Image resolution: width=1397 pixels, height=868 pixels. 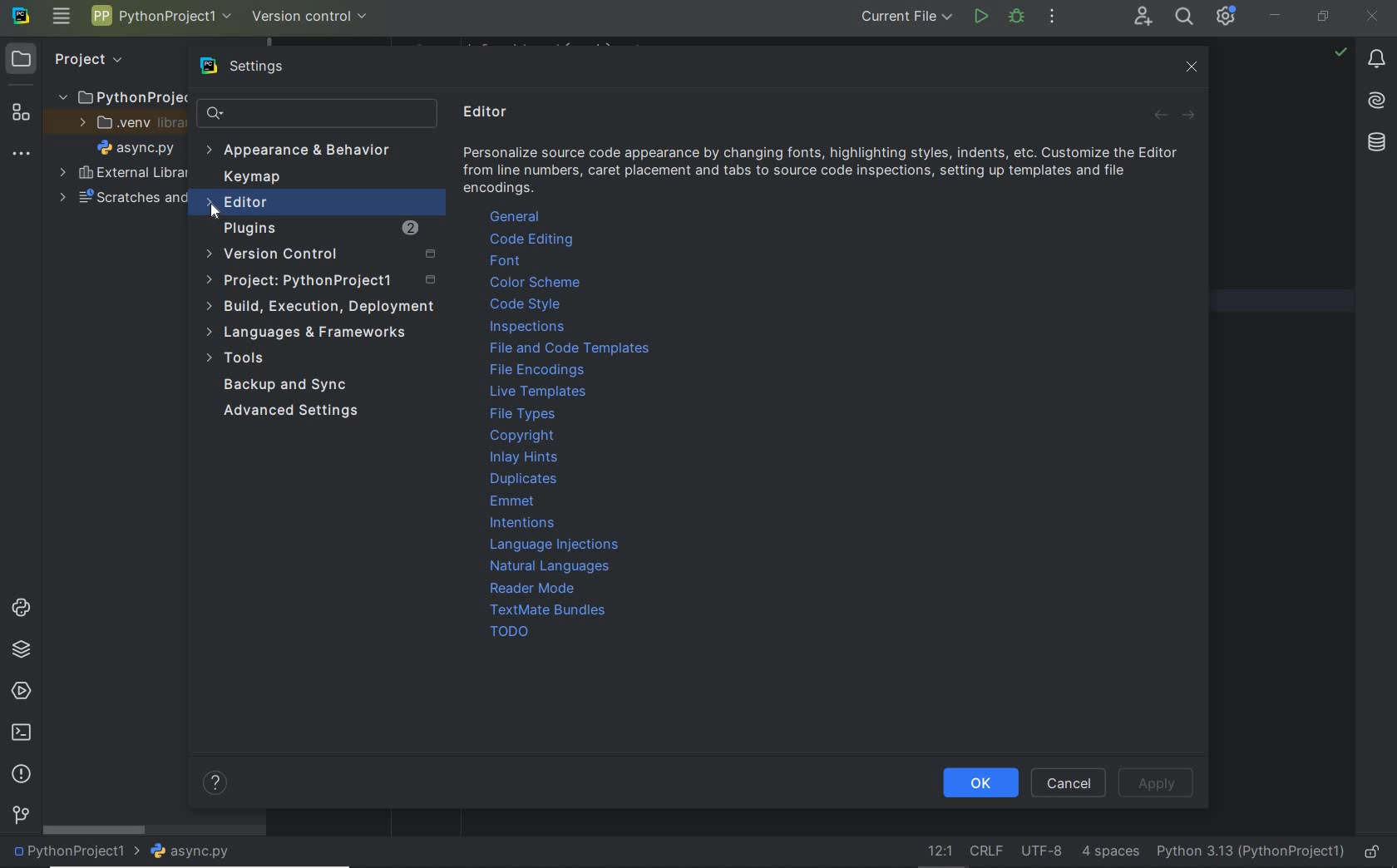 What do you see at coordinates (516, 216) in the screenshot?
I see `General` at bounding box center [516, 216].